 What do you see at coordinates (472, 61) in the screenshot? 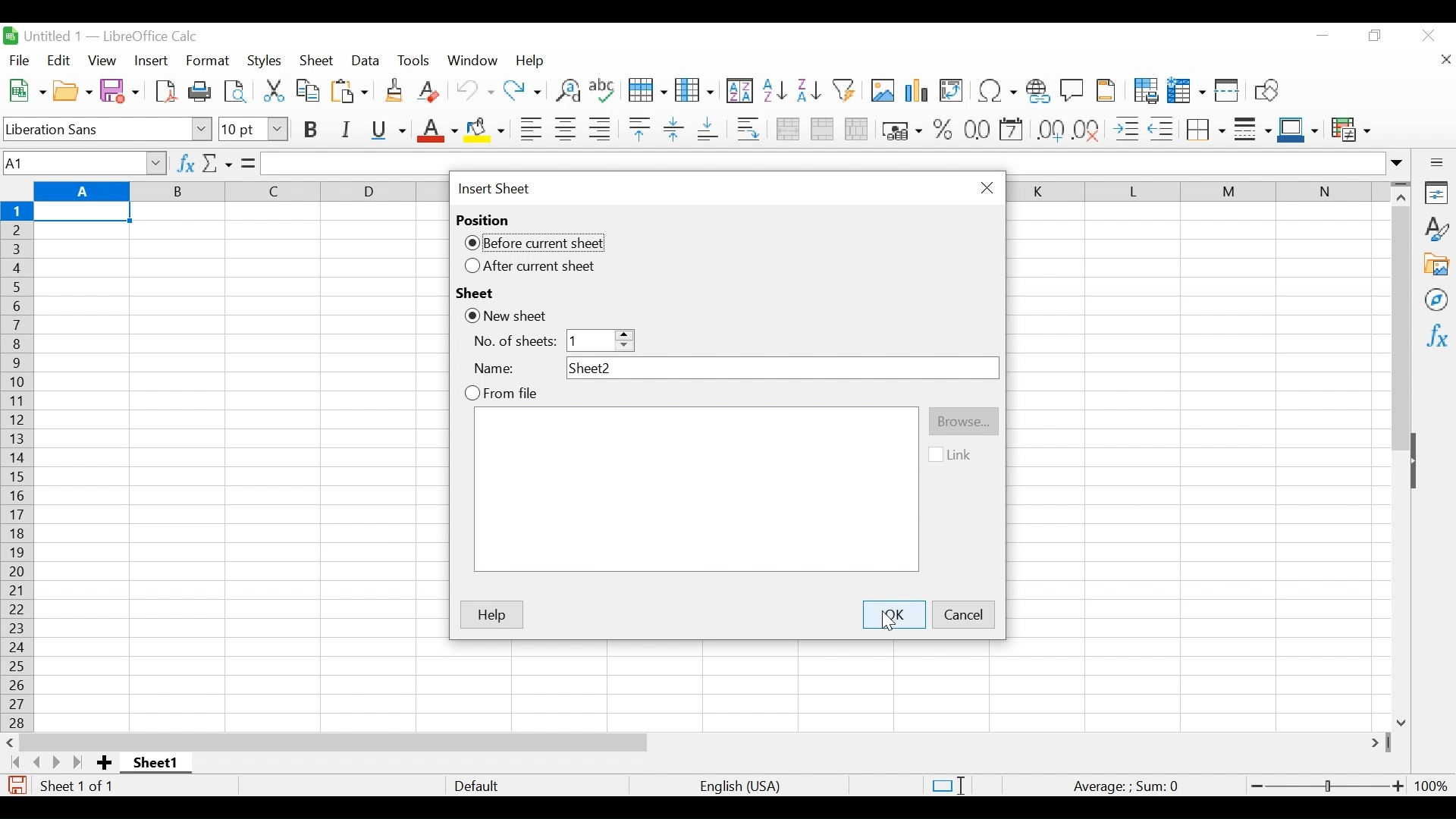
I see `Window` at bounding box center [472, 61].